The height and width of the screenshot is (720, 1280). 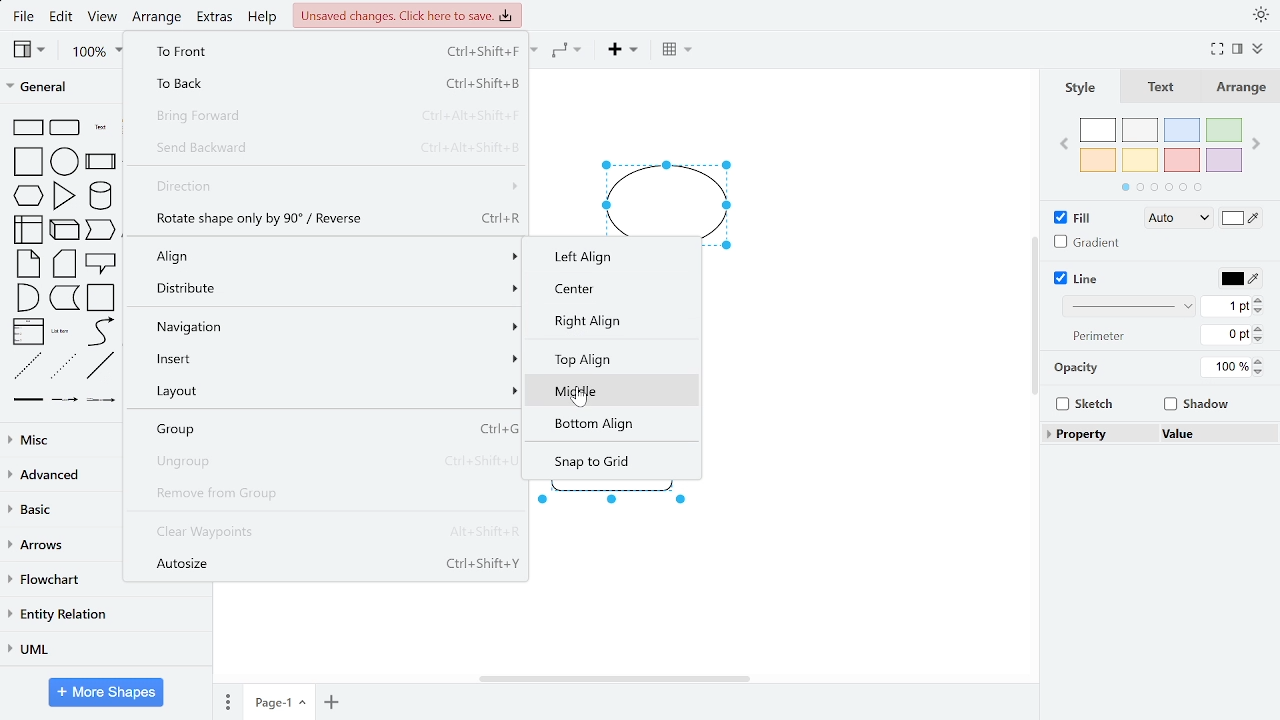 I want to click on dashed line, so click(x=27, y=366).